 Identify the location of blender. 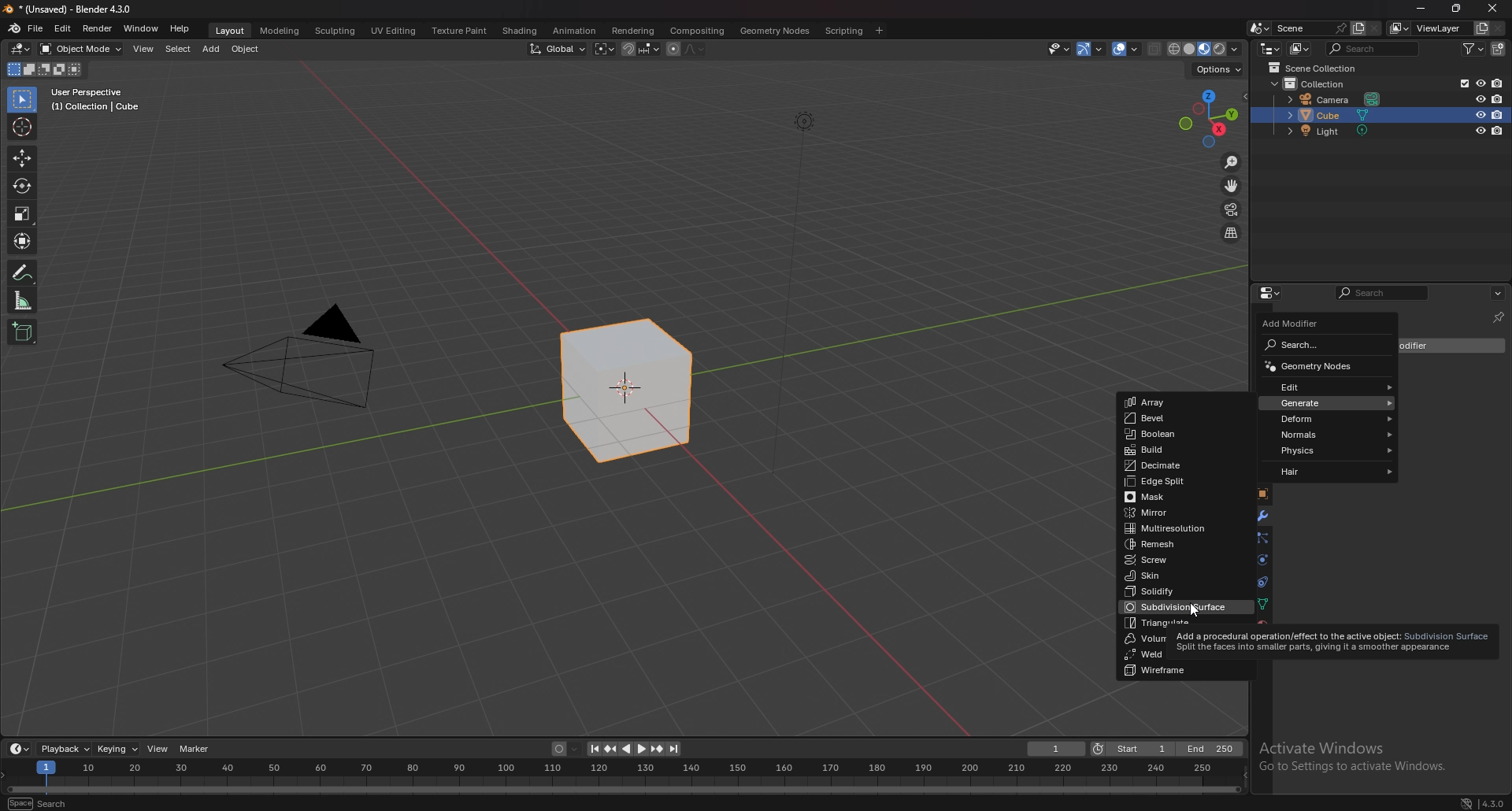
(14, 27).